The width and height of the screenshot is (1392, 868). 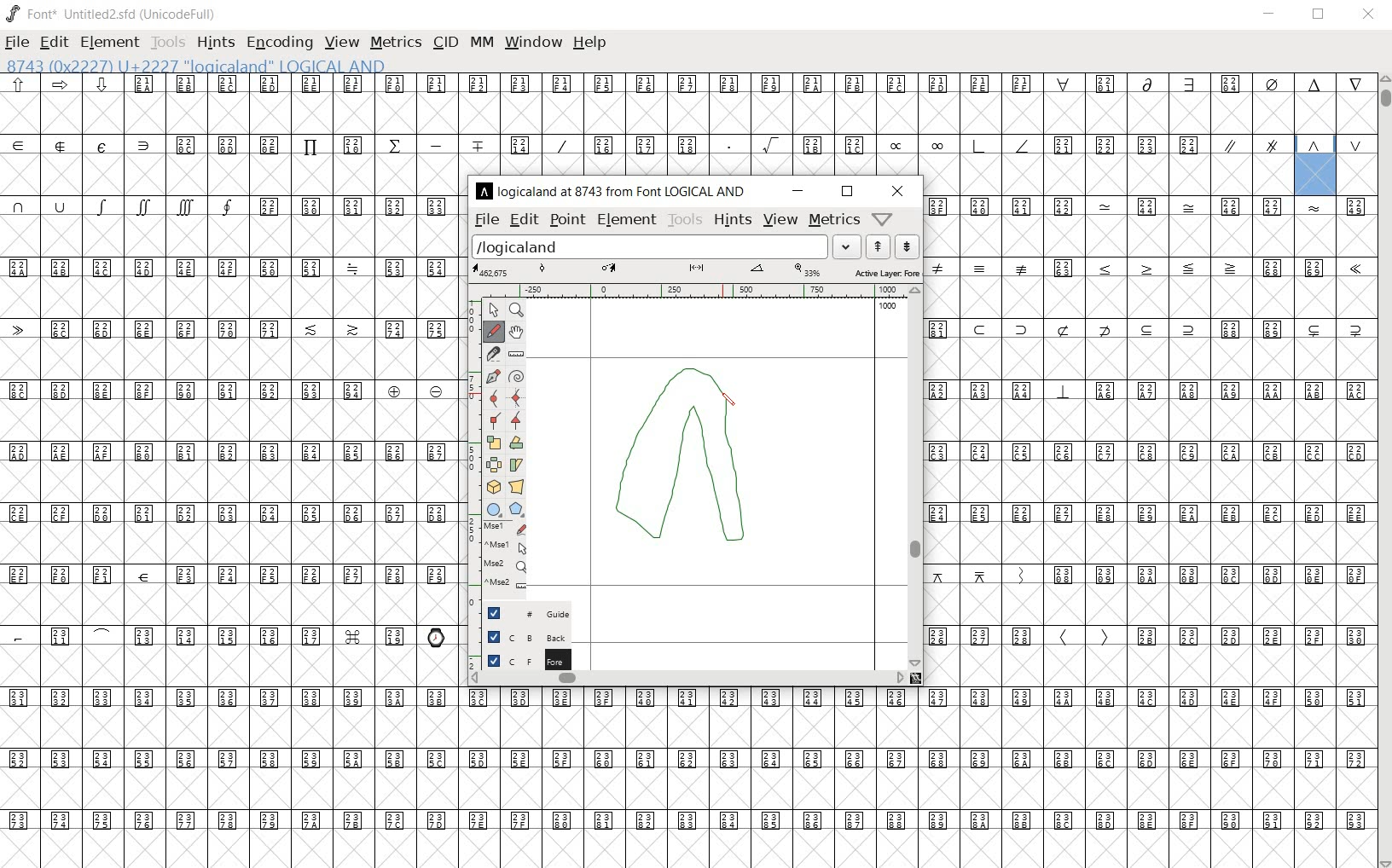 What do you see at coordinates (1272, 15) in the screenshot?
I see `minimize` at bounding box center [1272, 15].